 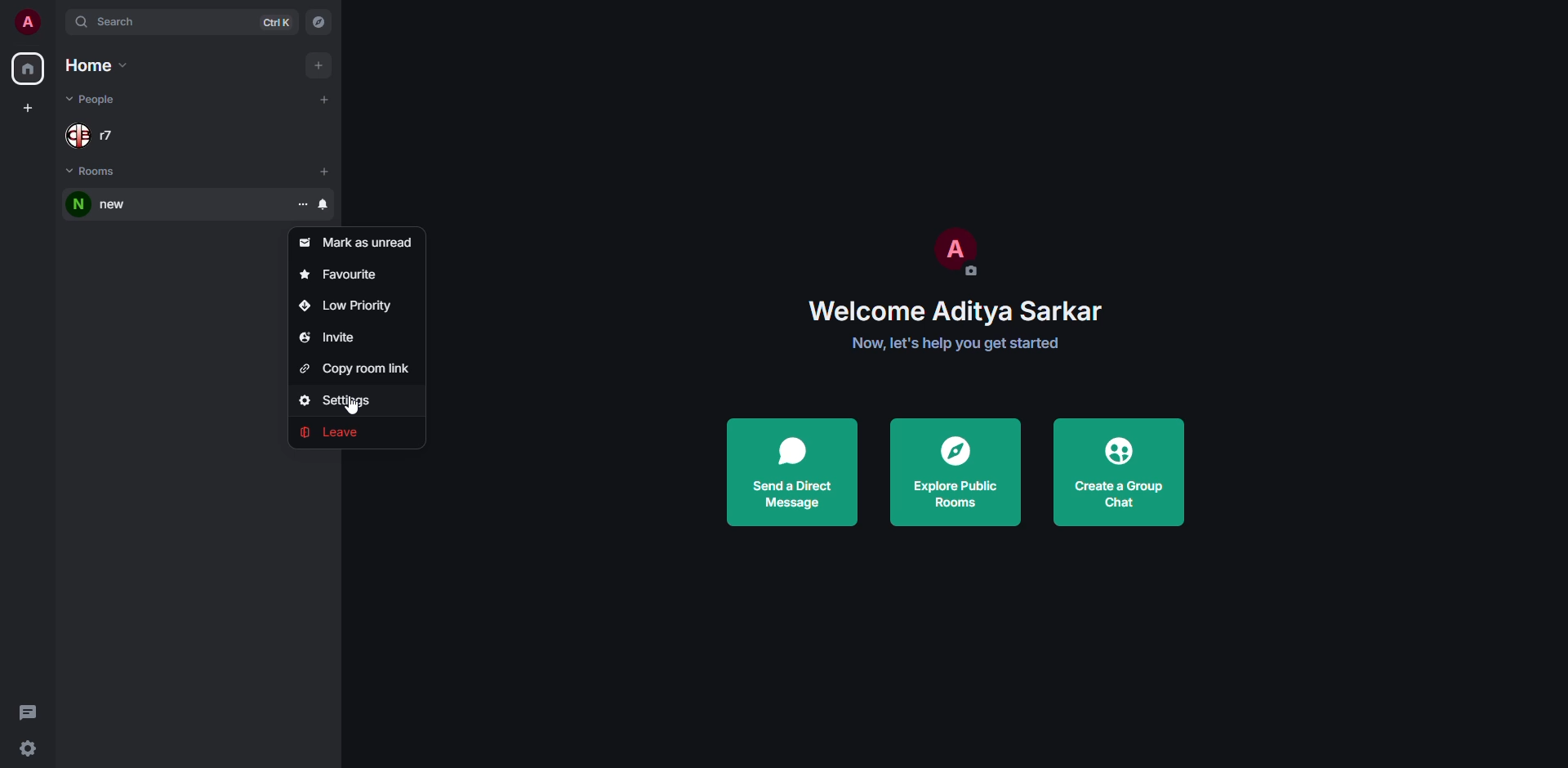 What do you see at coordinates (340, 430) in the screenshot?
I see `leave` at bounding box center [340, 430].